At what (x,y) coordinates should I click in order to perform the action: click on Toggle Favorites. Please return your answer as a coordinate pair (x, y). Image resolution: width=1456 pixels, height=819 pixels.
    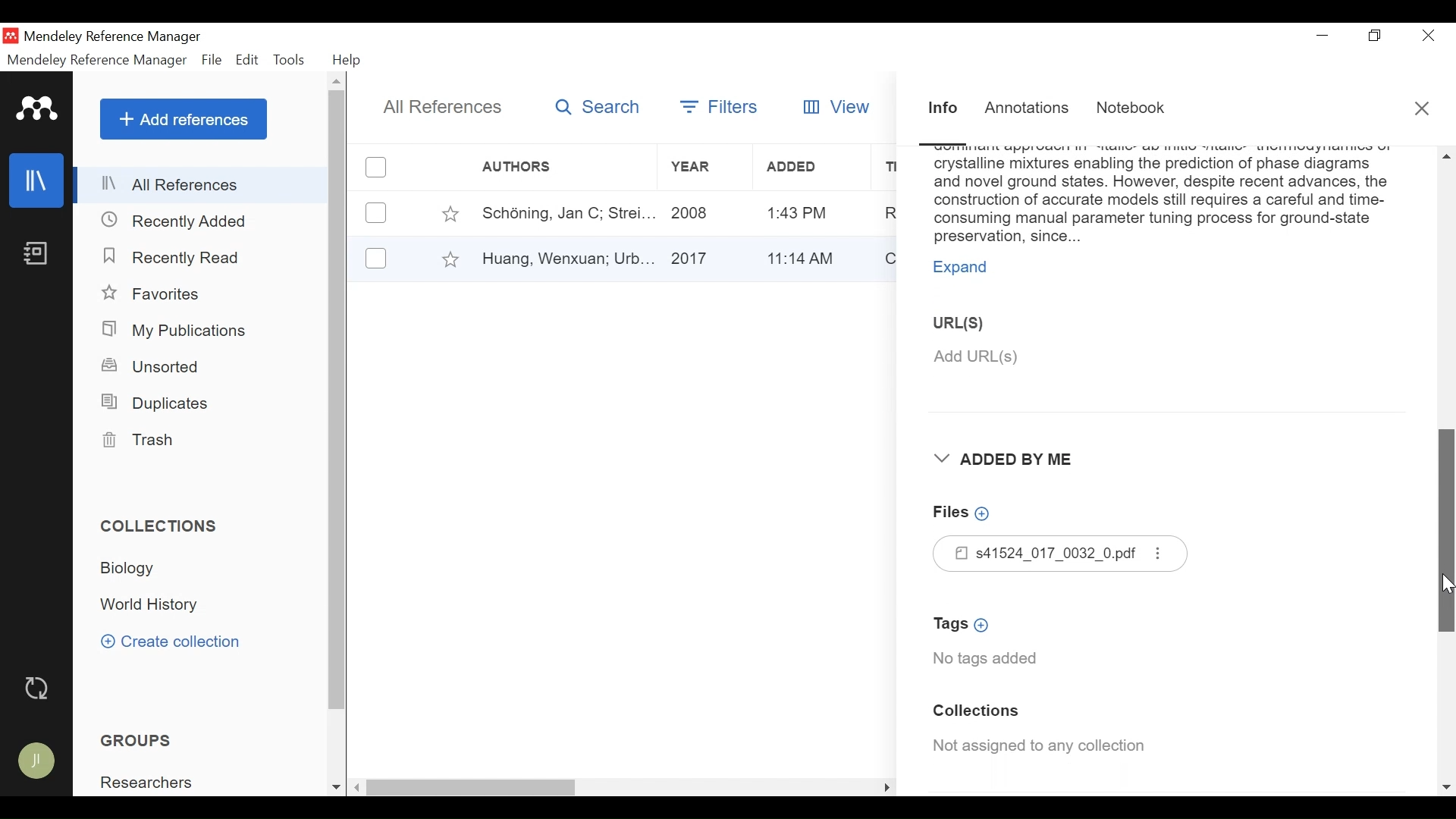
    Looking at the image, I should click on (450, 259).